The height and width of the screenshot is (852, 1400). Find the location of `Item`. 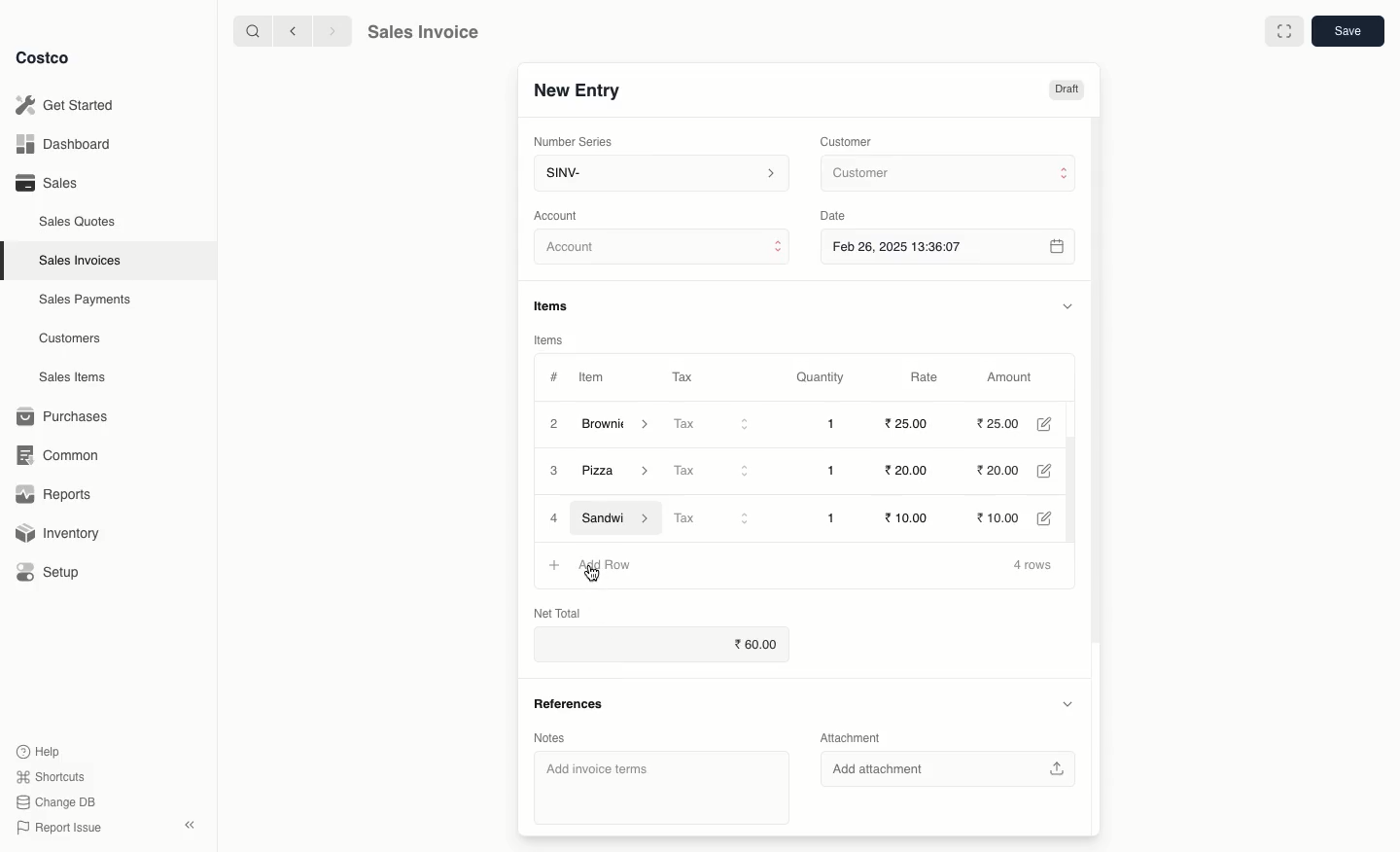

Item is located at coordinates (594, 379).